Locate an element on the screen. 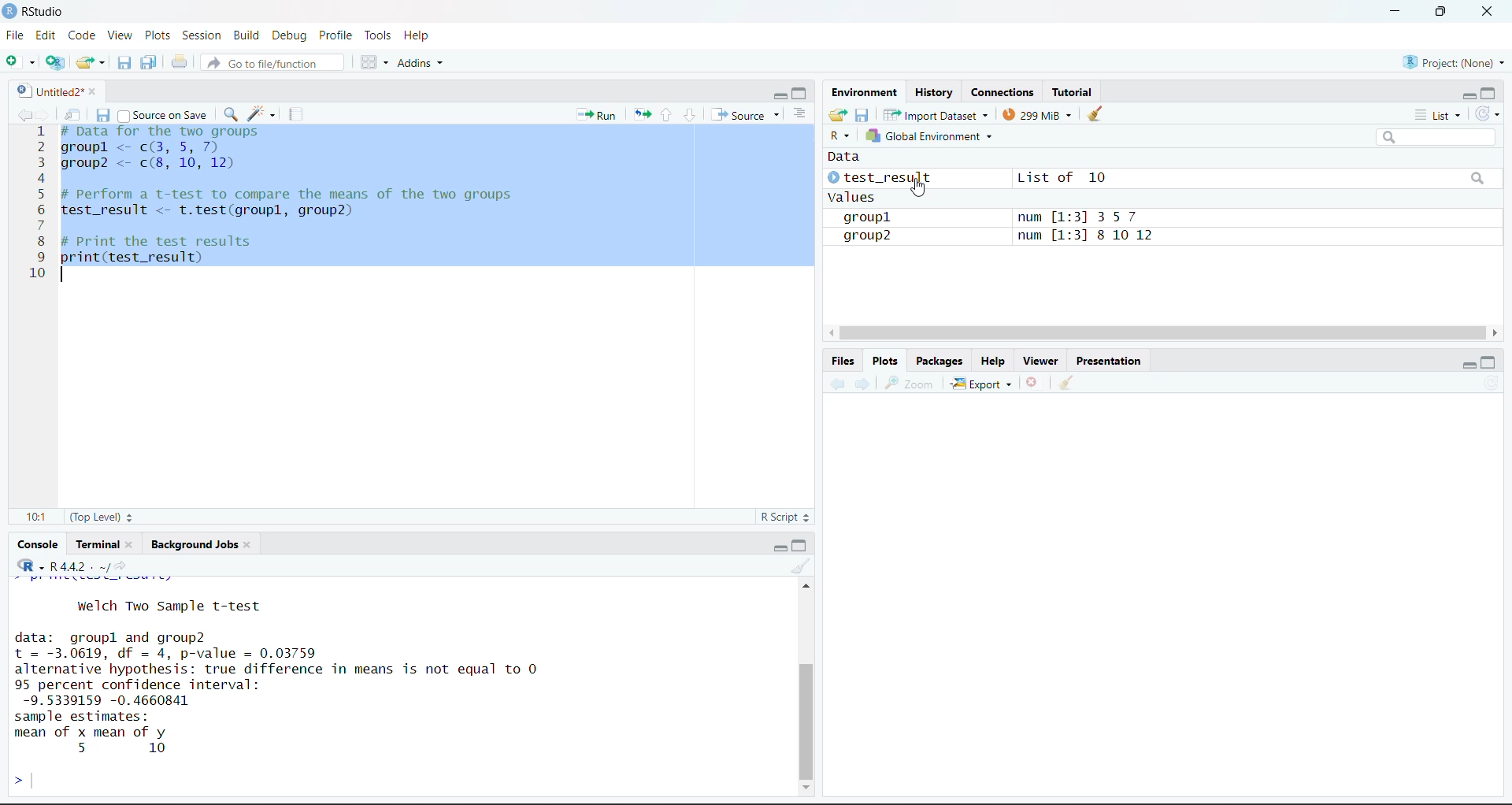  minimize is located at coordinates (1470, 364).